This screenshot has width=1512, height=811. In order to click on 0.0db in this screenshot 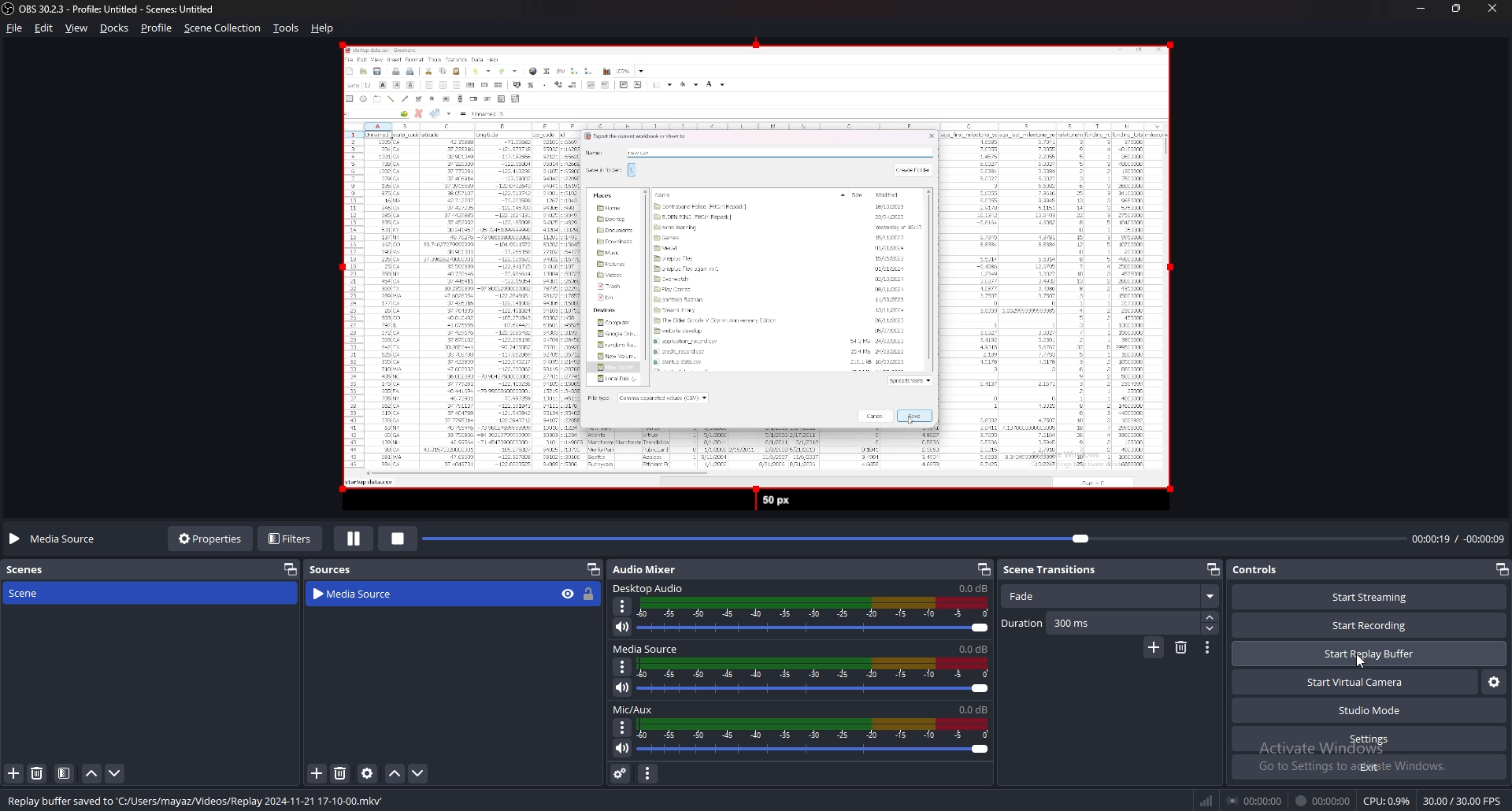, I will do `click(975, 648)`.